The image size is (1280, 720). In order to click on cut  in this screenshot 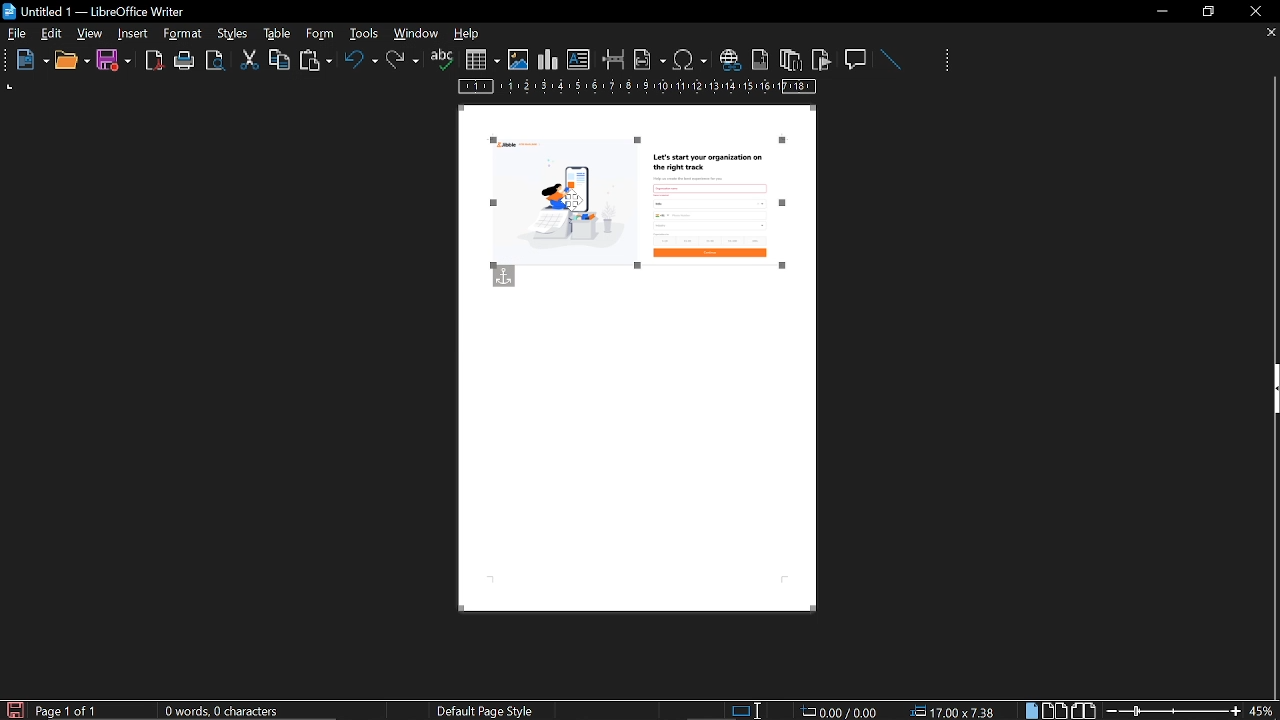, I will do `click(250, 60)`.